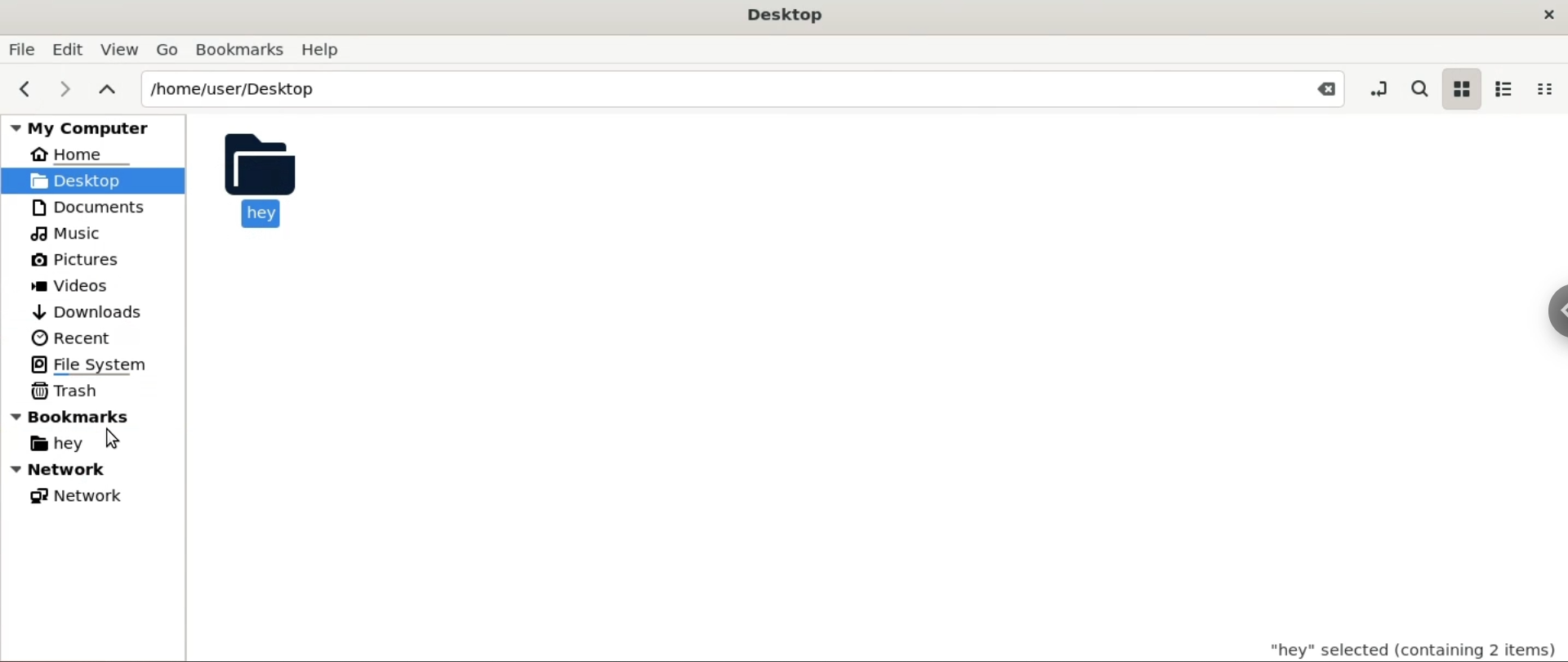 The height and width of the screenshot is (662, 1568). I want to click on compact view, so click(1549, 88).